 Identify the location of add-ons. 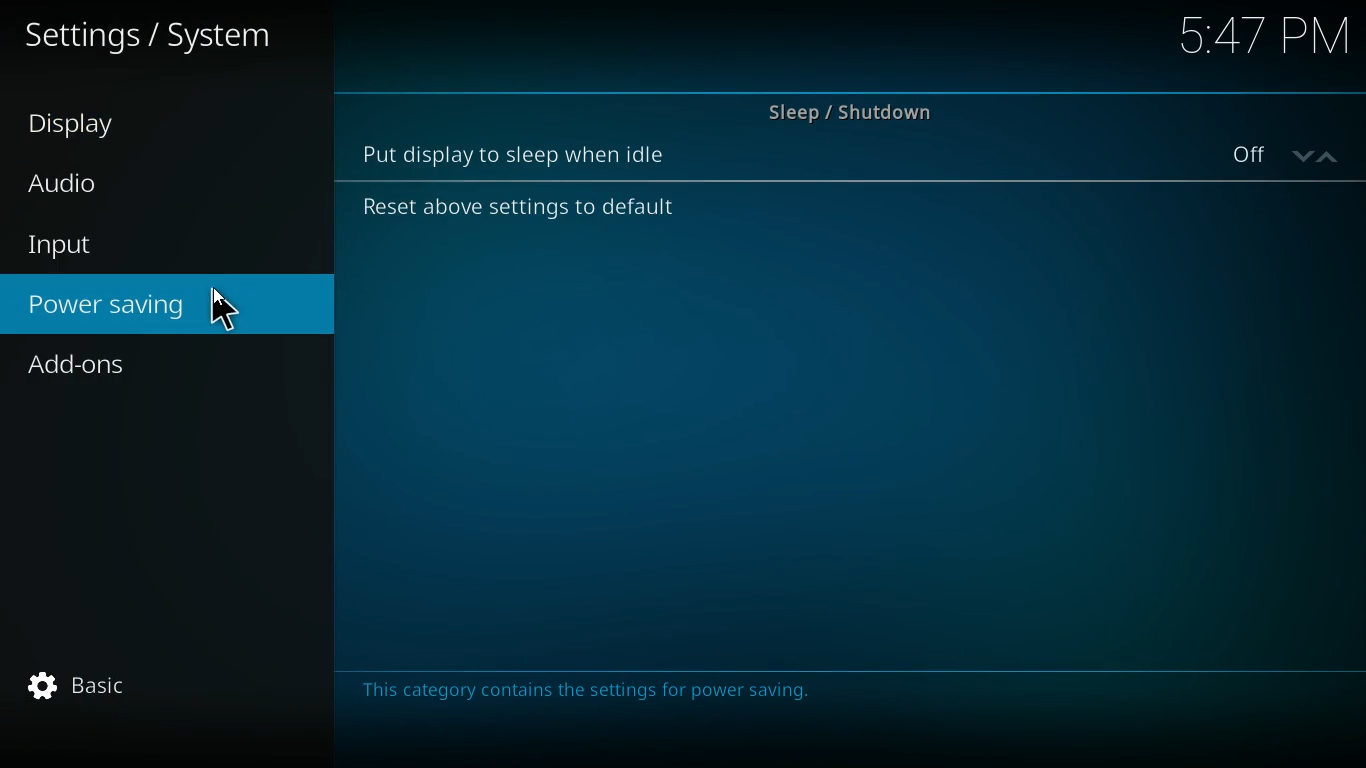
(153, 368).